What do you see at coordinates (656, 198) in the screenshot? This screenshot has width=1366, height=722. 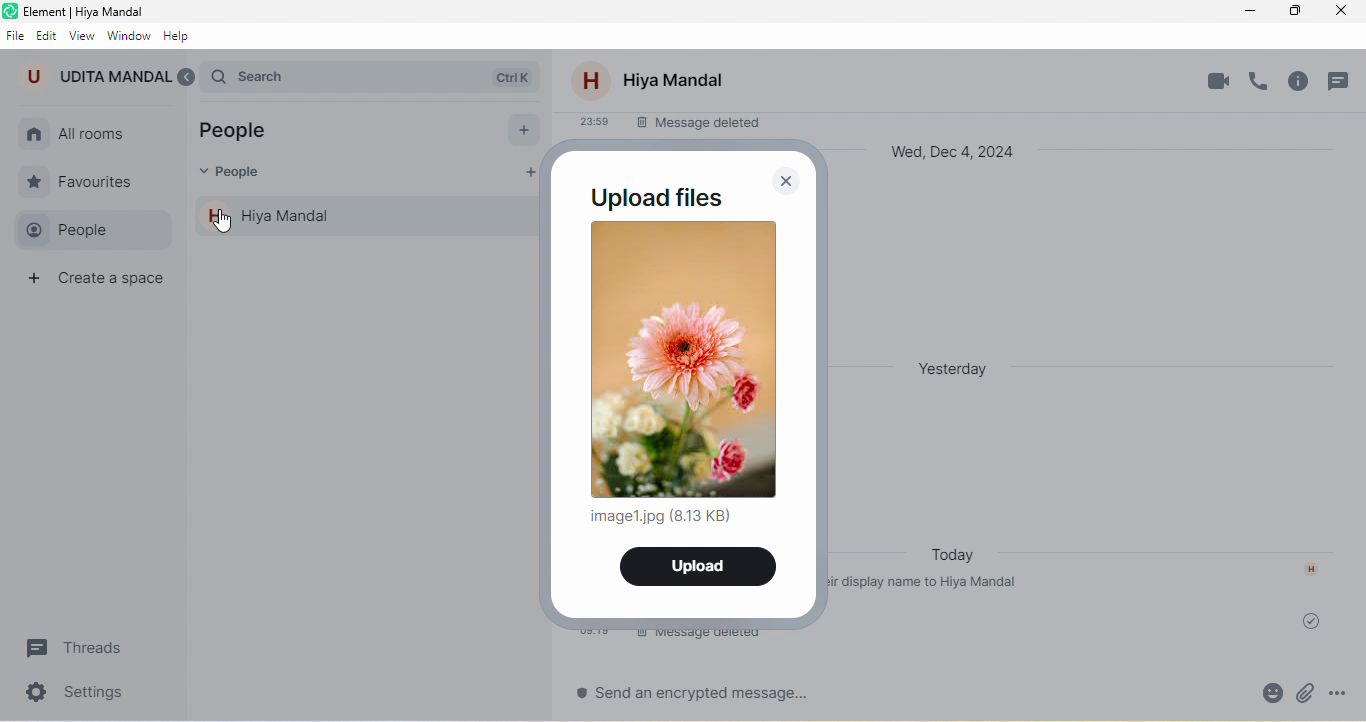 I see `Upload files` at bounding box center [656, 198].